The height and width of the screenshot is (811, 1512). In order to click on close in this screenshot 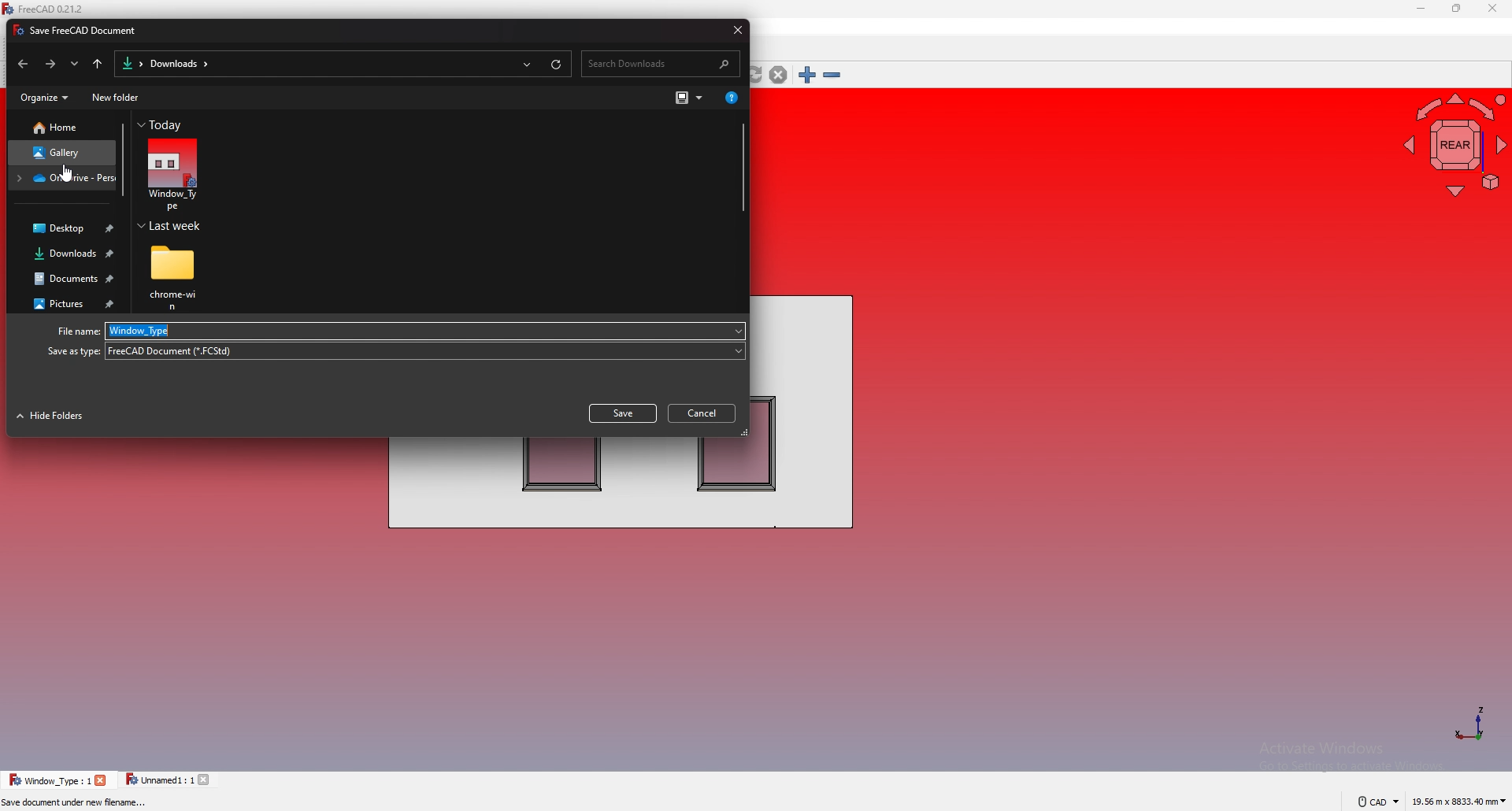, I will do `click(1492, 9)`.